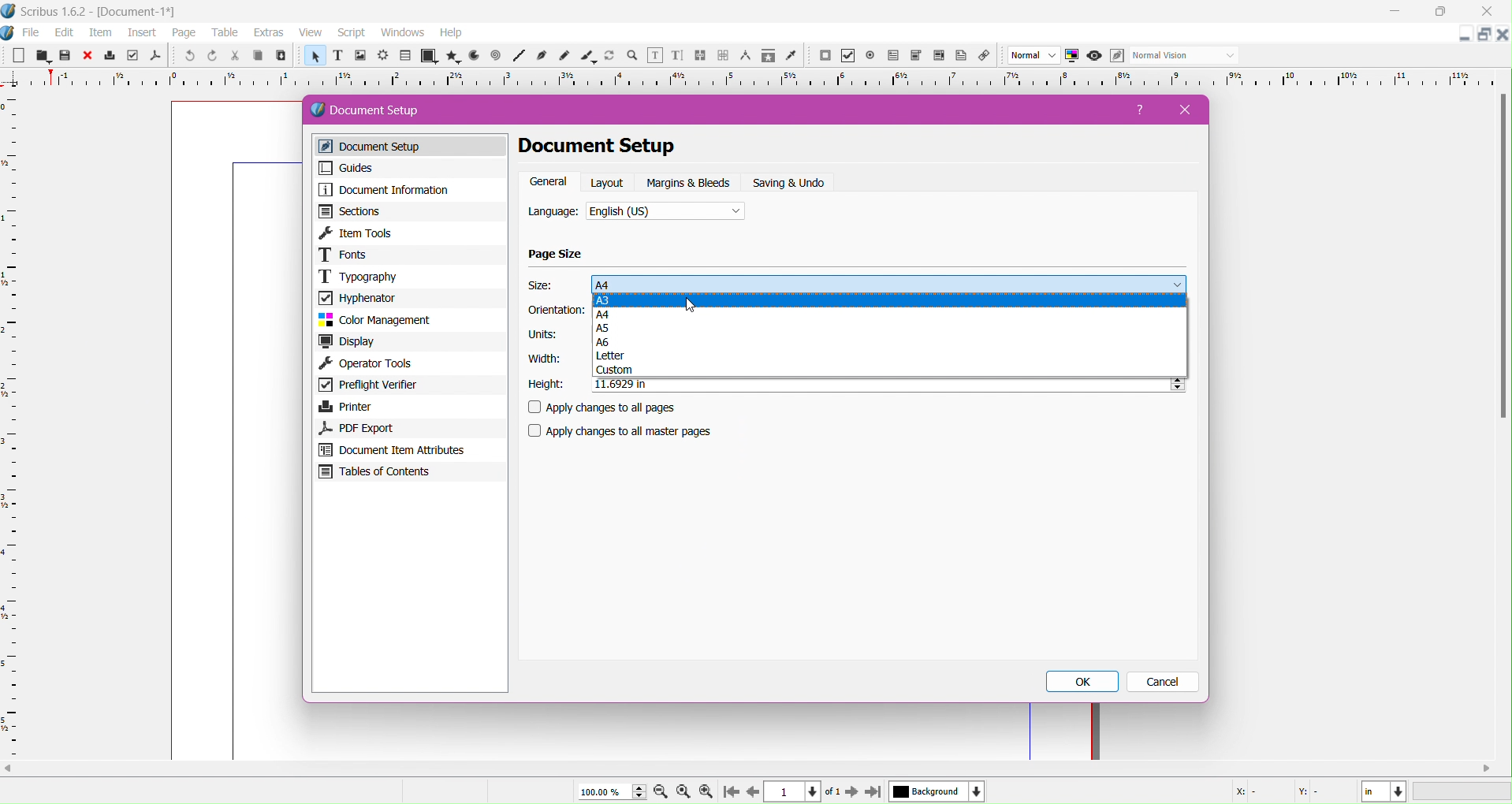 This screenshot has height=804, width=1512. What do you see at coordinates (65, 33) in the screenshot?
I see `edit menu` at bounding box center [65, 33].